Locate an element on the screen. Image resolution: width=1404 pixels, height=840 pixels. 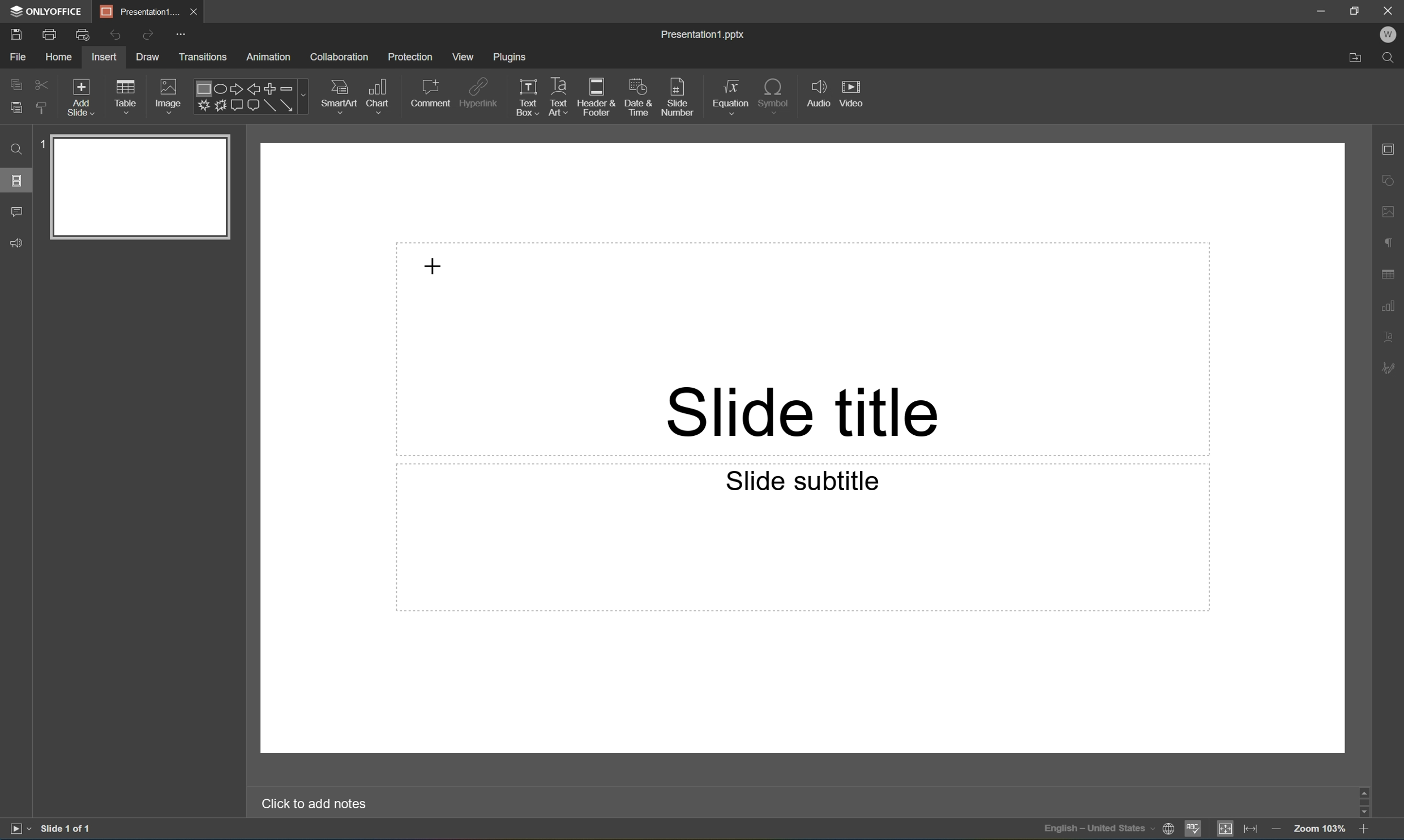
Customize quick access toolbar is located at coordinates (183, 36).